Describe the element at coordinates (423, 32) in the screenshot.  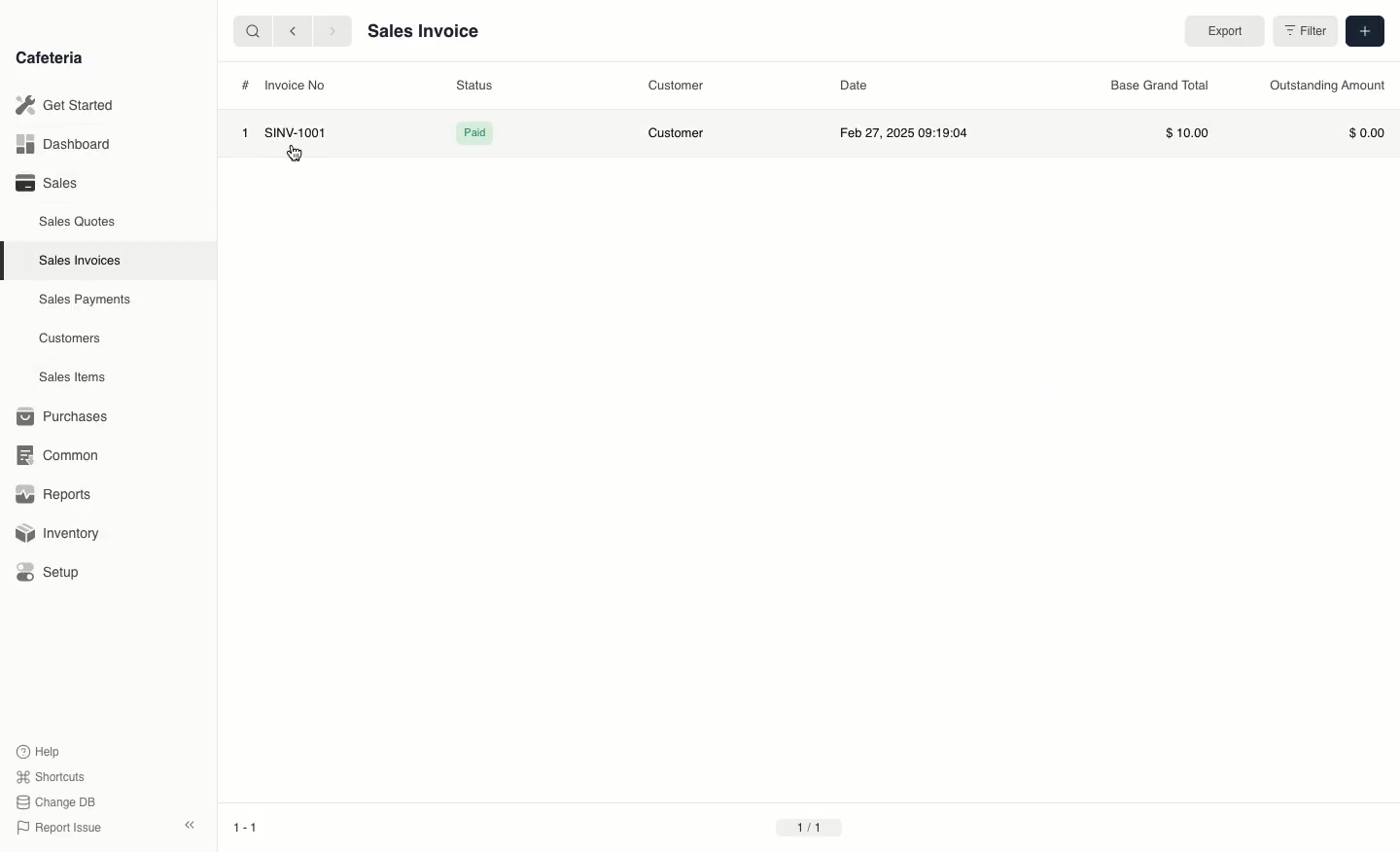
I see `Sales Invoice` at that location.